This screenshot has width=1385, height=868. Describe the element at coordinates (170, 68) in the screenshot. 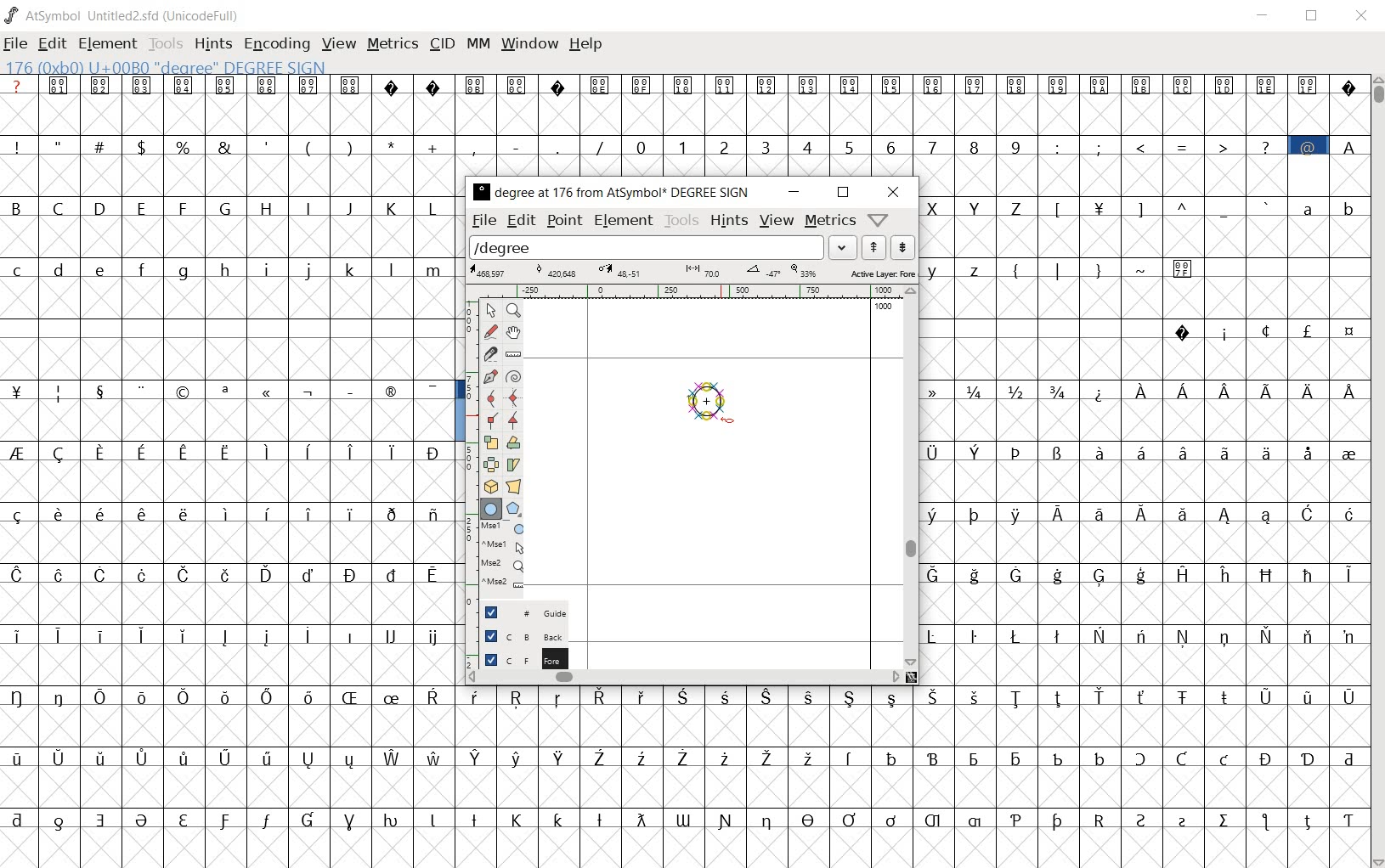

I see `176 (0xb0) U+00B00 "degree" Degree Sign` at that location.